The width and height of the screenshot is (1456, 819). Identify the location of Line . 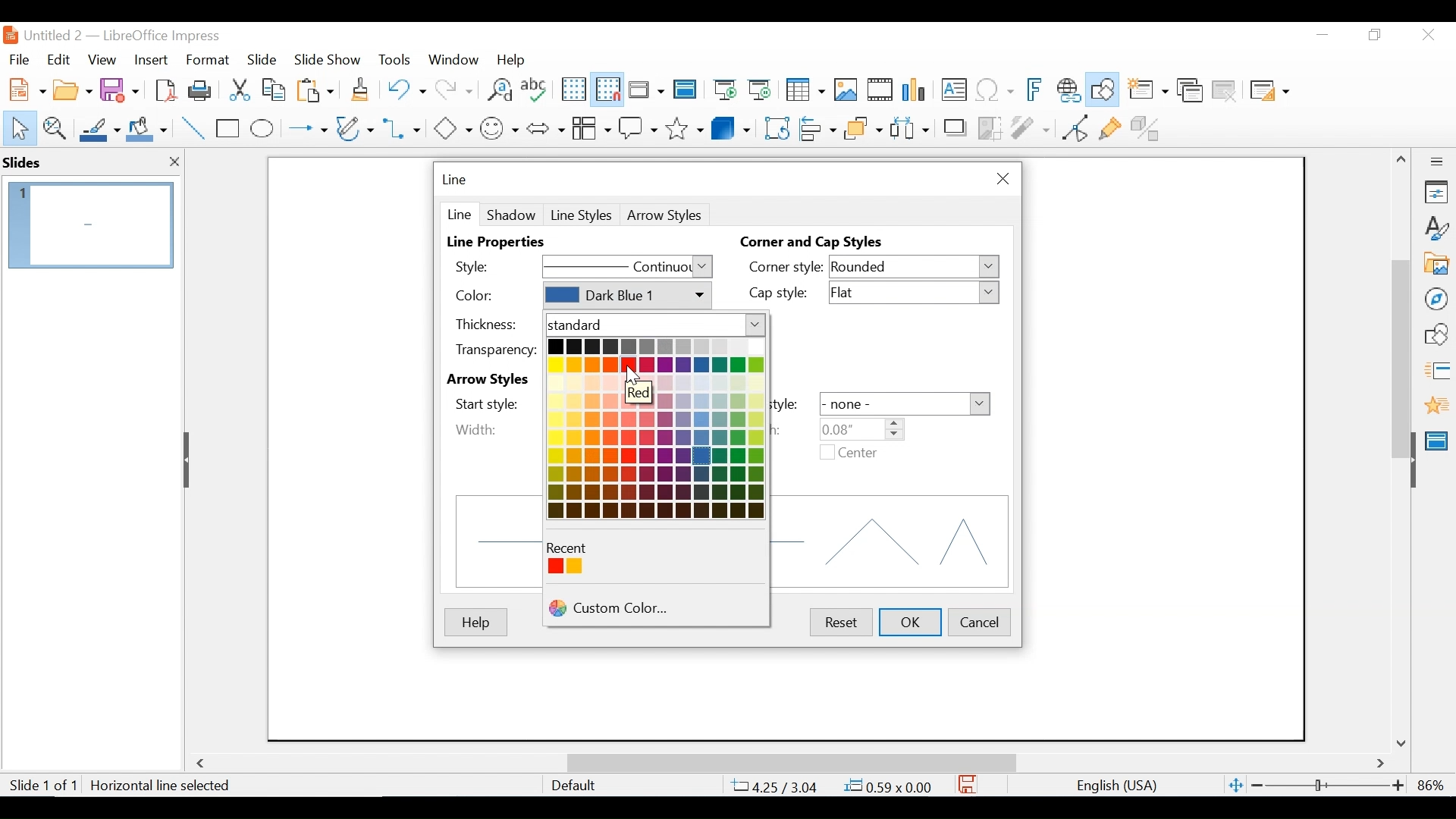
(458, 213).